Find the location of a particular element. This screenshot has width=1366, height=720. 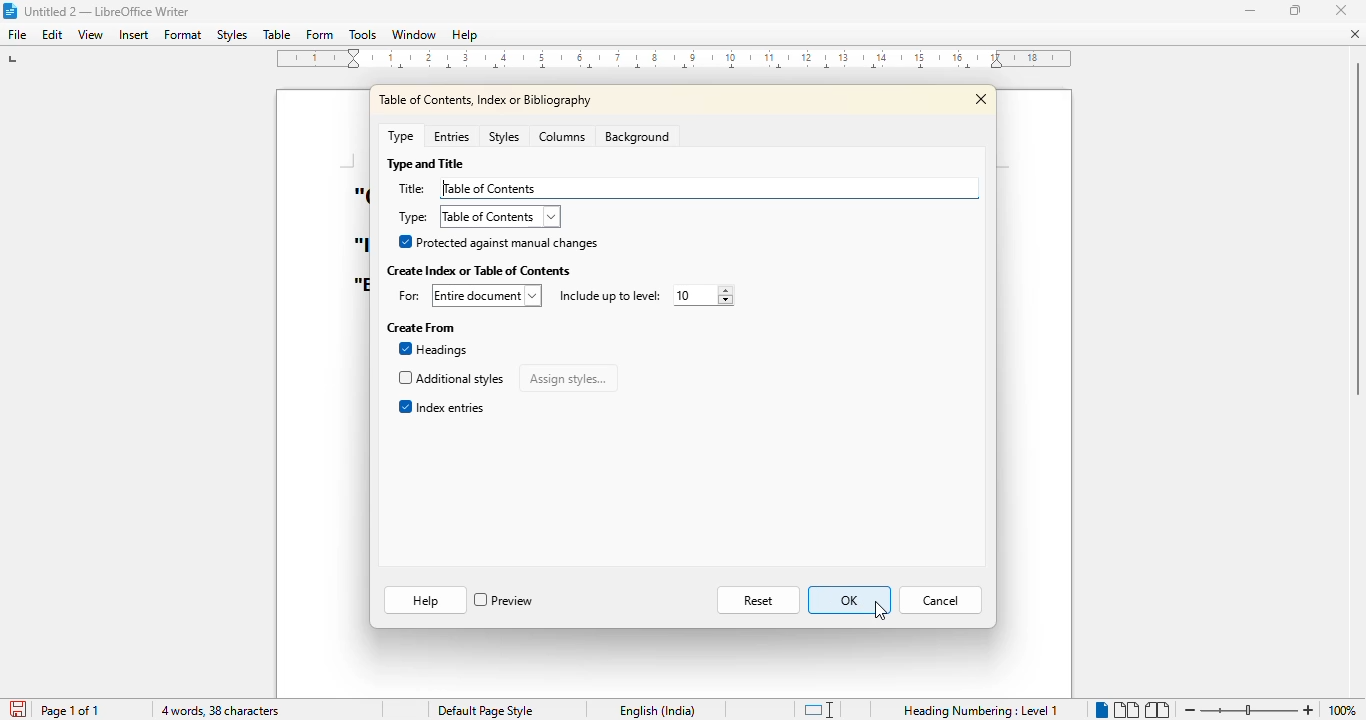

close is located at coordinates (983, 99).